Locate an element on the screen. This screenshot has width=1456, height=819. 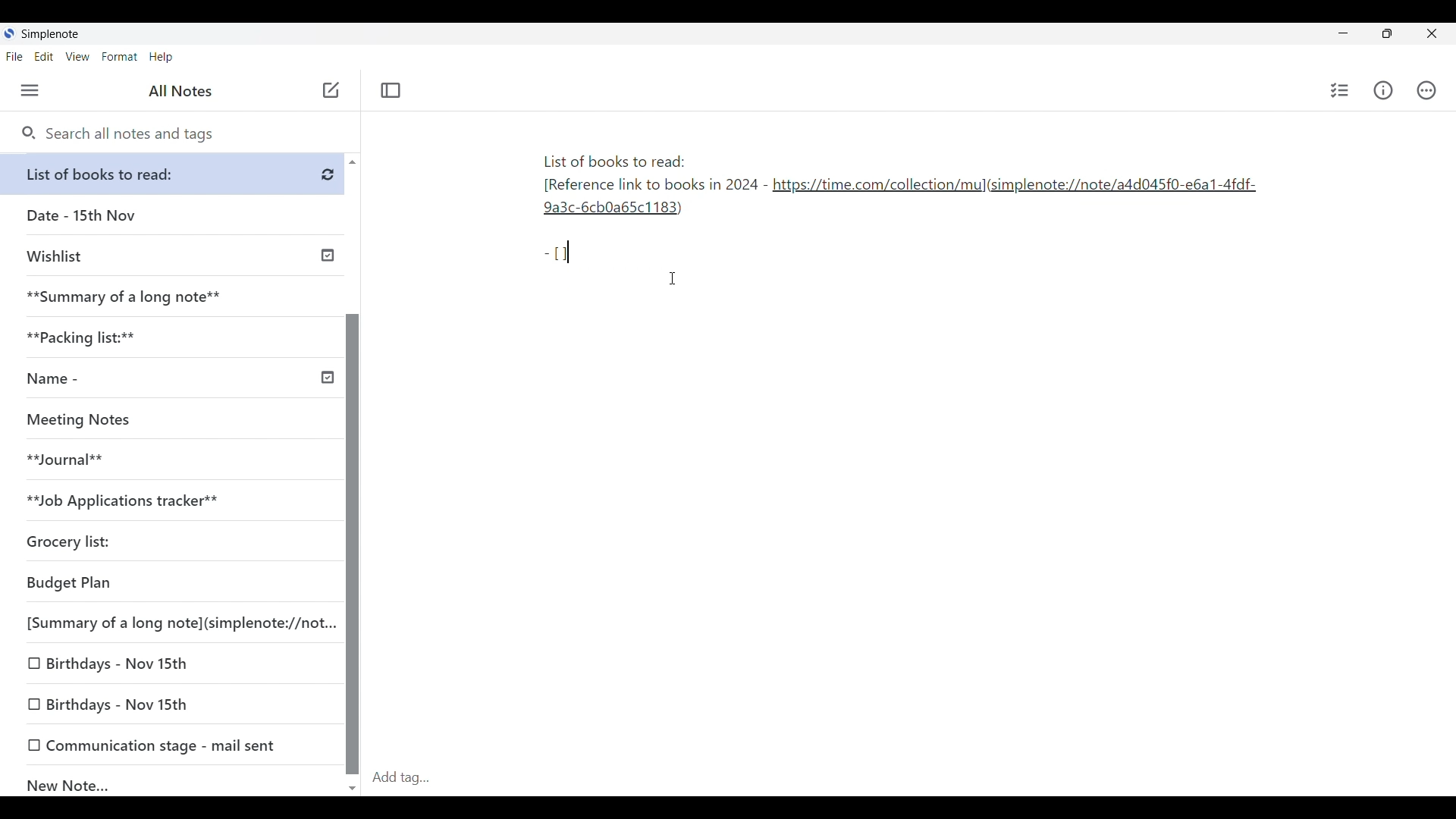
Grocery list: is located at coordinates (167, 544).